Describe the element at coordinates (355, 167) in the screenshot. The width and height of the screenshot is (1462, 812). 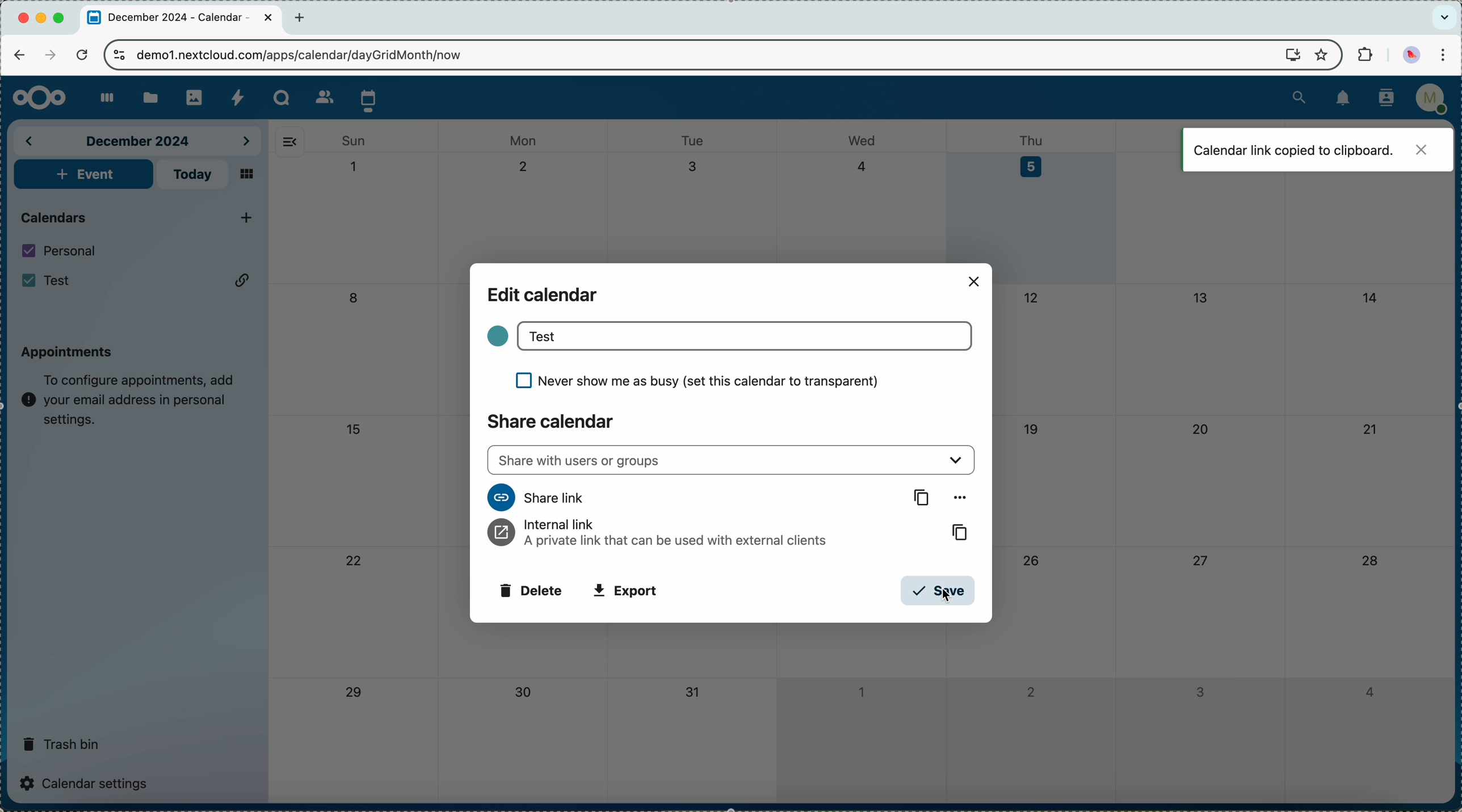
I see `1` at that location.